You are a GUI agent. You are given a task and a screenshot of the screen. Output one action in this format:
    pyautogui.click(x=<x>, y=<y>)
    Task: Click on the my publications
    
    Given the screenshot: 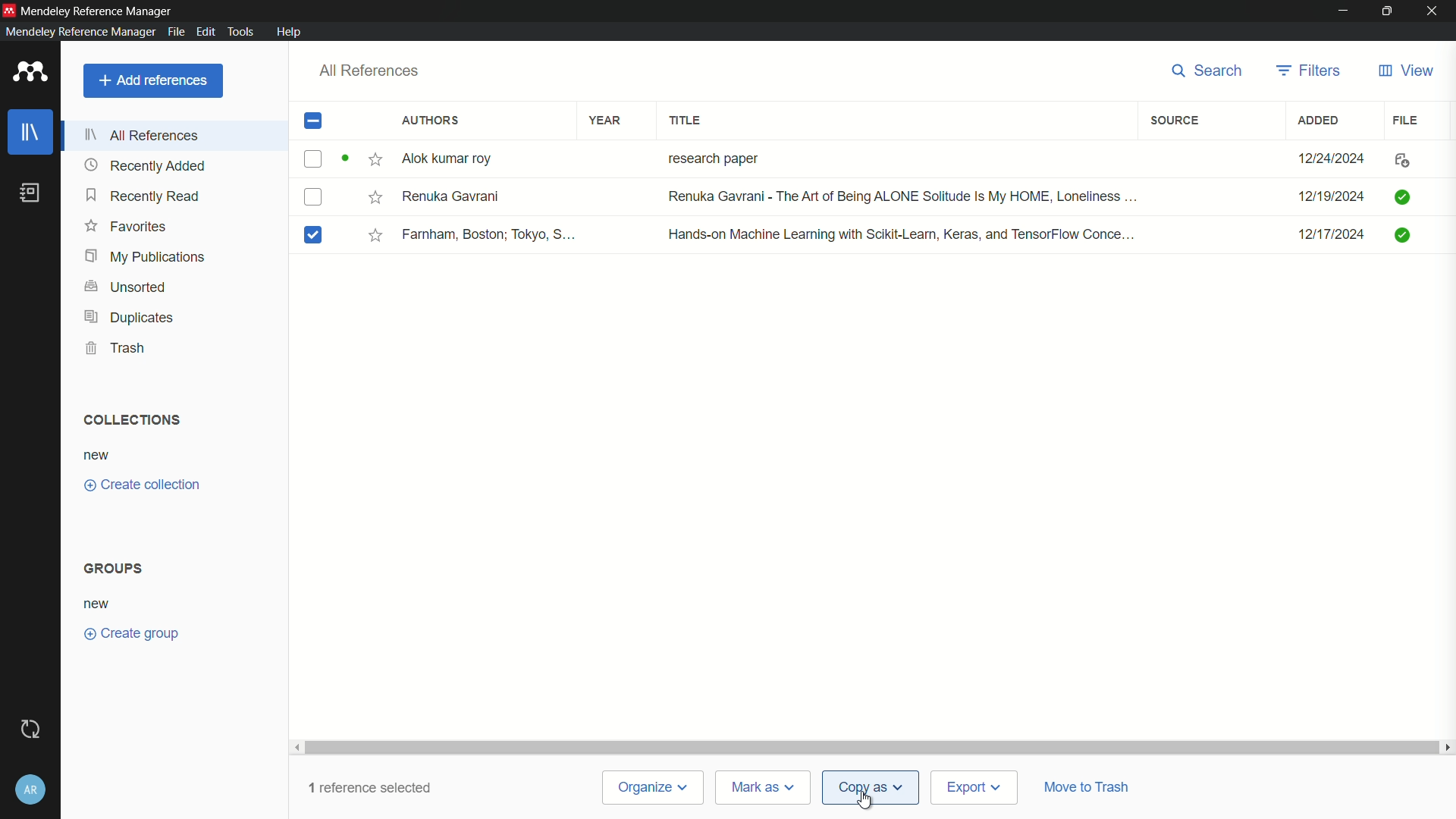 What is the action you would take?
    pyautogui.click(x=144, y=257)
    